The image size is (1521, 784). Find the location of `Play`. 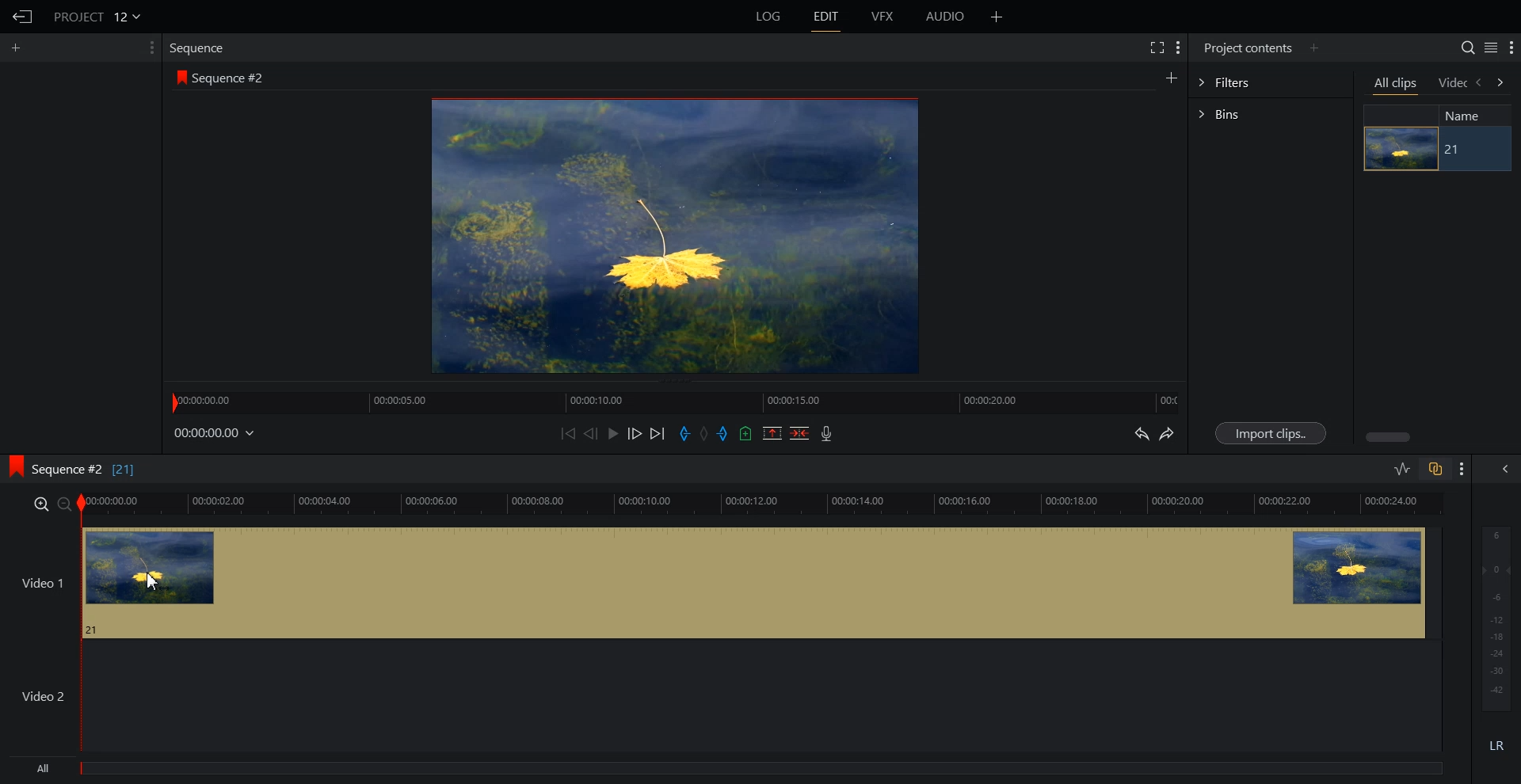

Play is located at coordinates (613, 432).